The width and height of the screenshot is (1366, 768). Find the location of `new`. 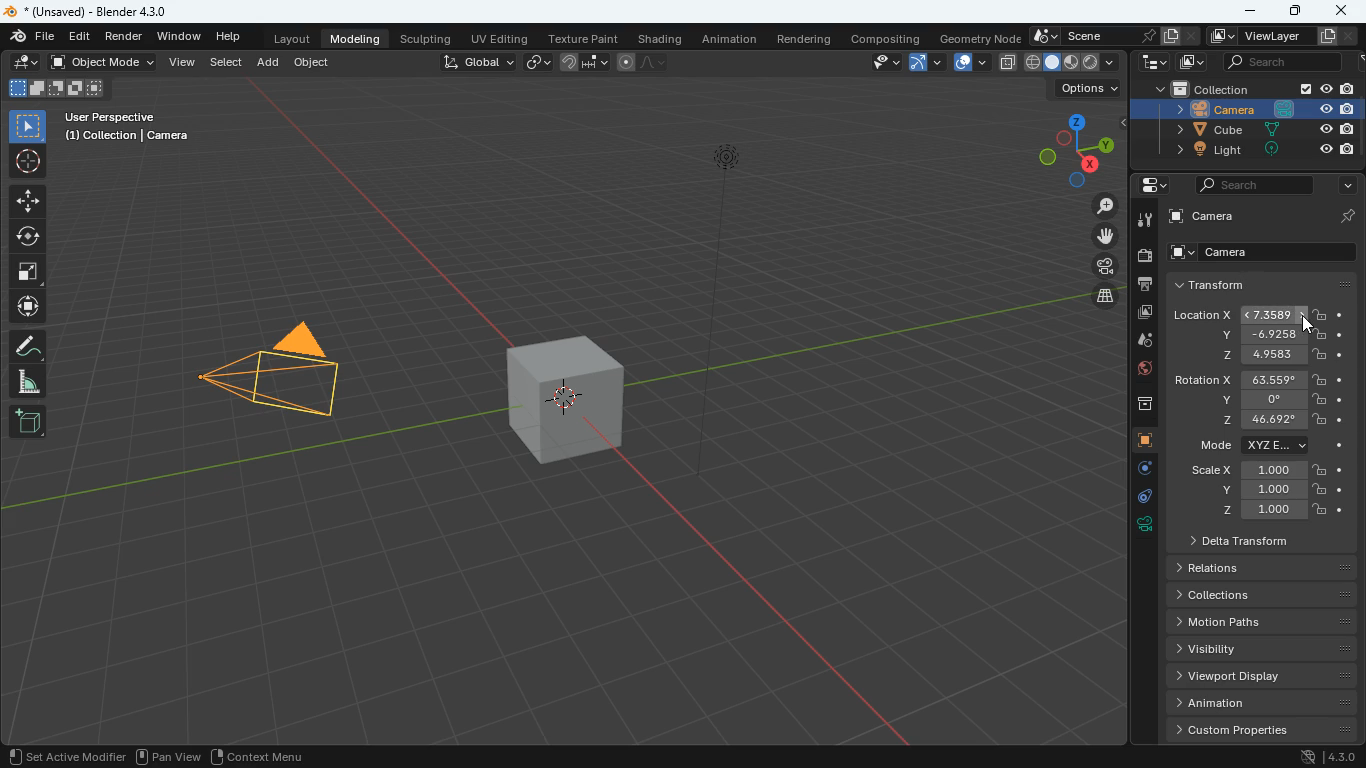

new is located at coordinates (28, 419).